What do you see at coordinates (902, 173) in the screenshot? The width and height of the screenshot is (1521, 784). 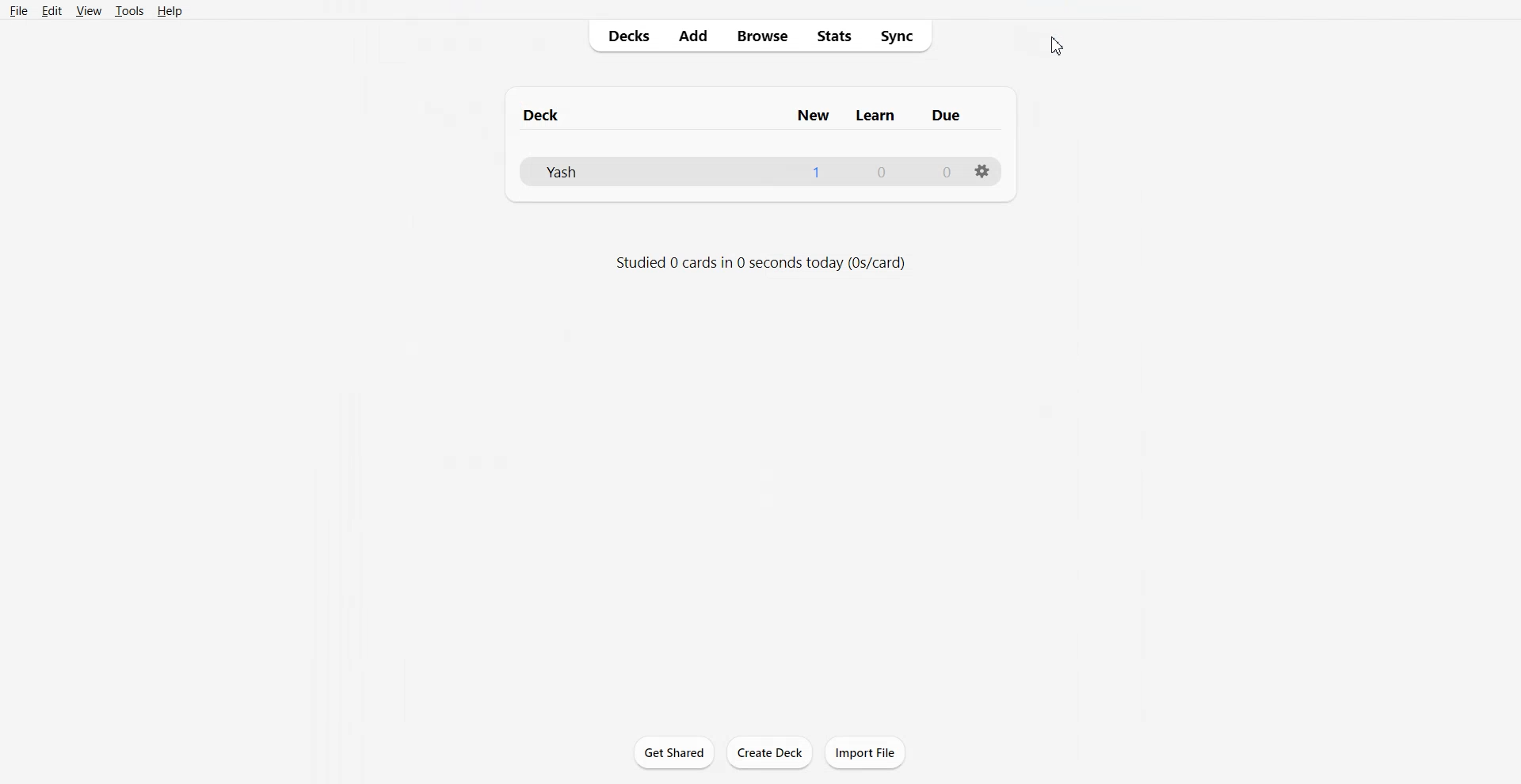 I see `0, 0` at bounding box center [902, 173].